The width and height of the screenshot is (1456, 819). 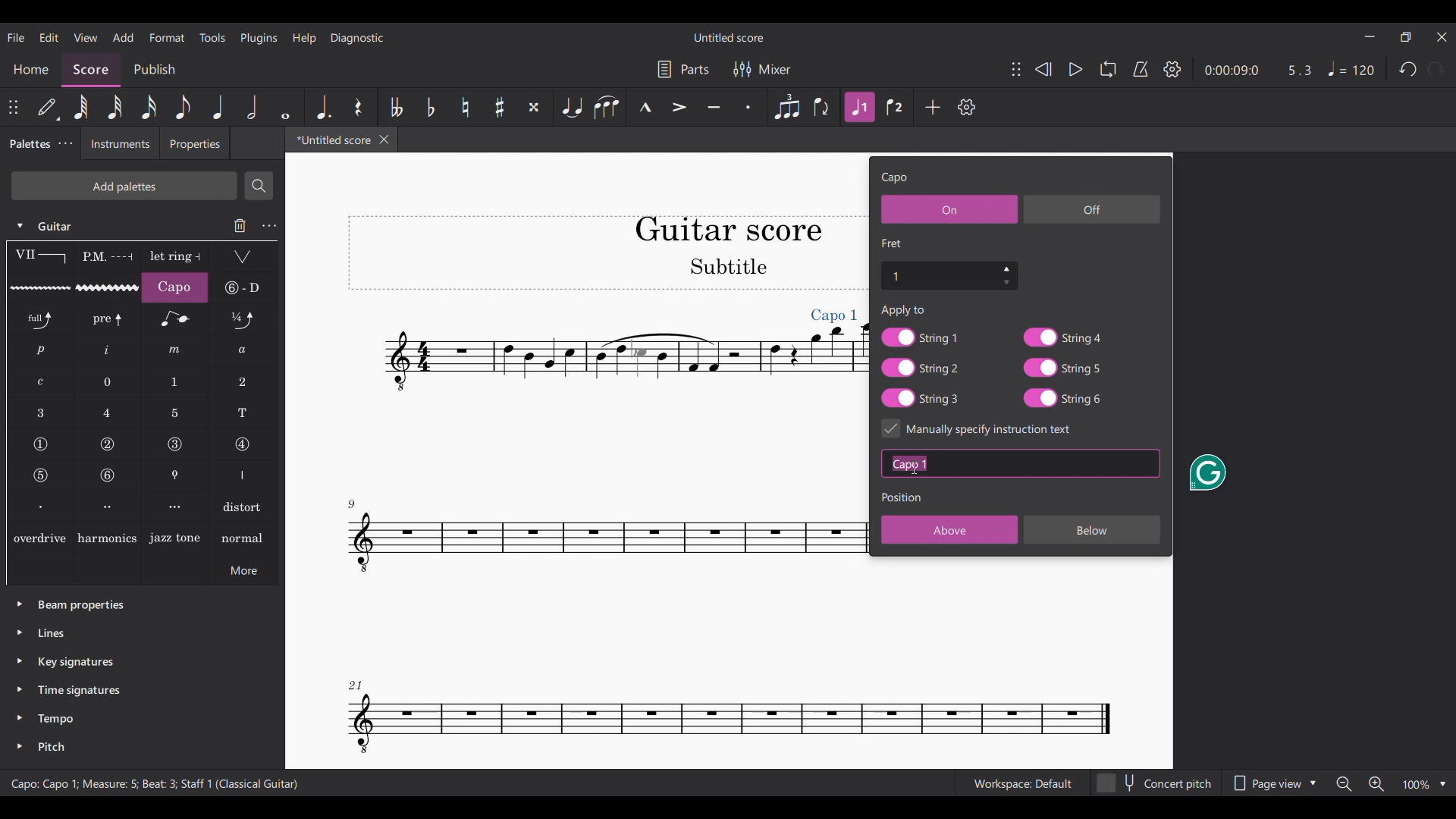 I want to click on Lines palette, so click(x=52, y=632).